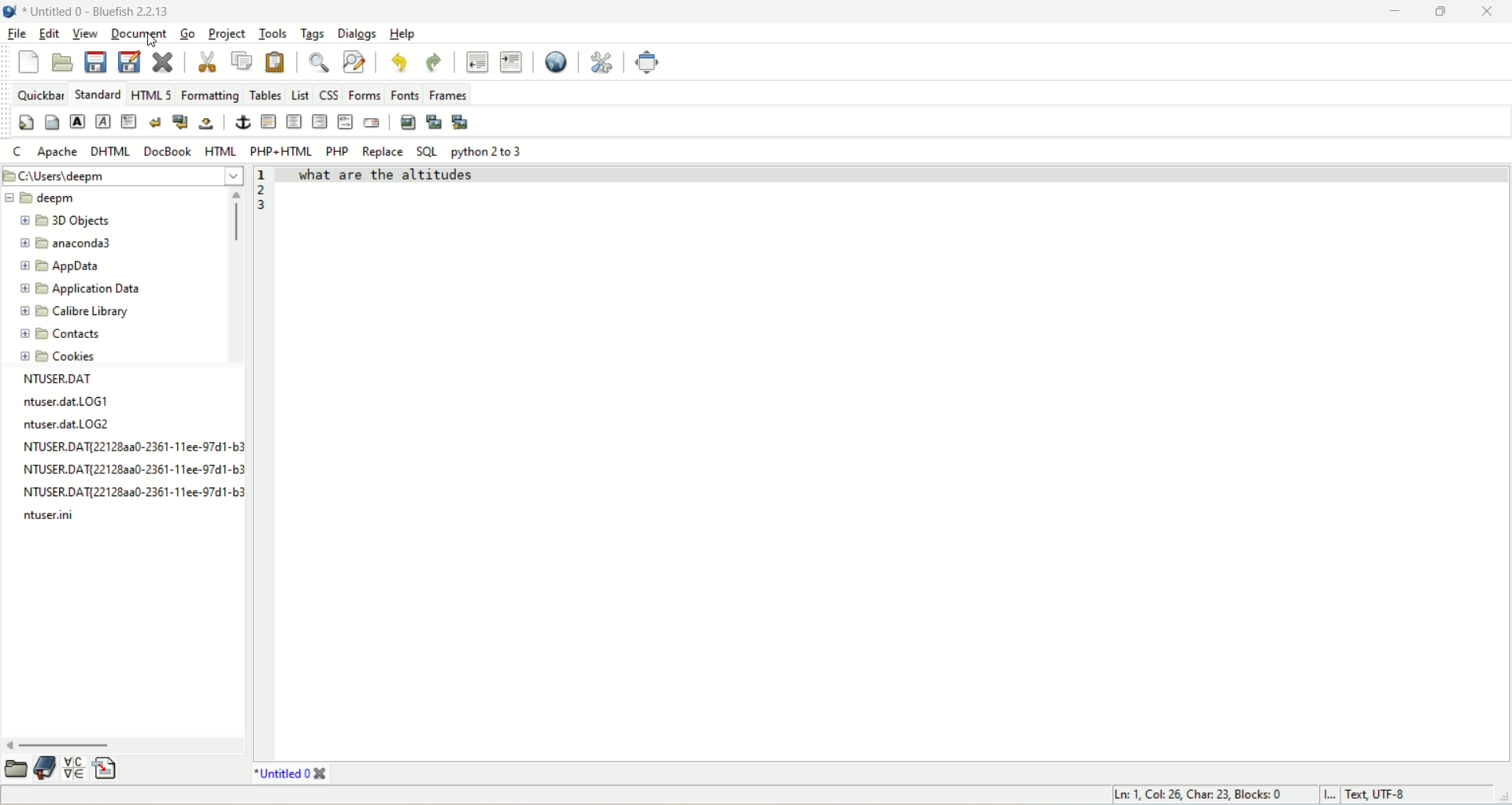  I want to click on location, so click(122, 176).